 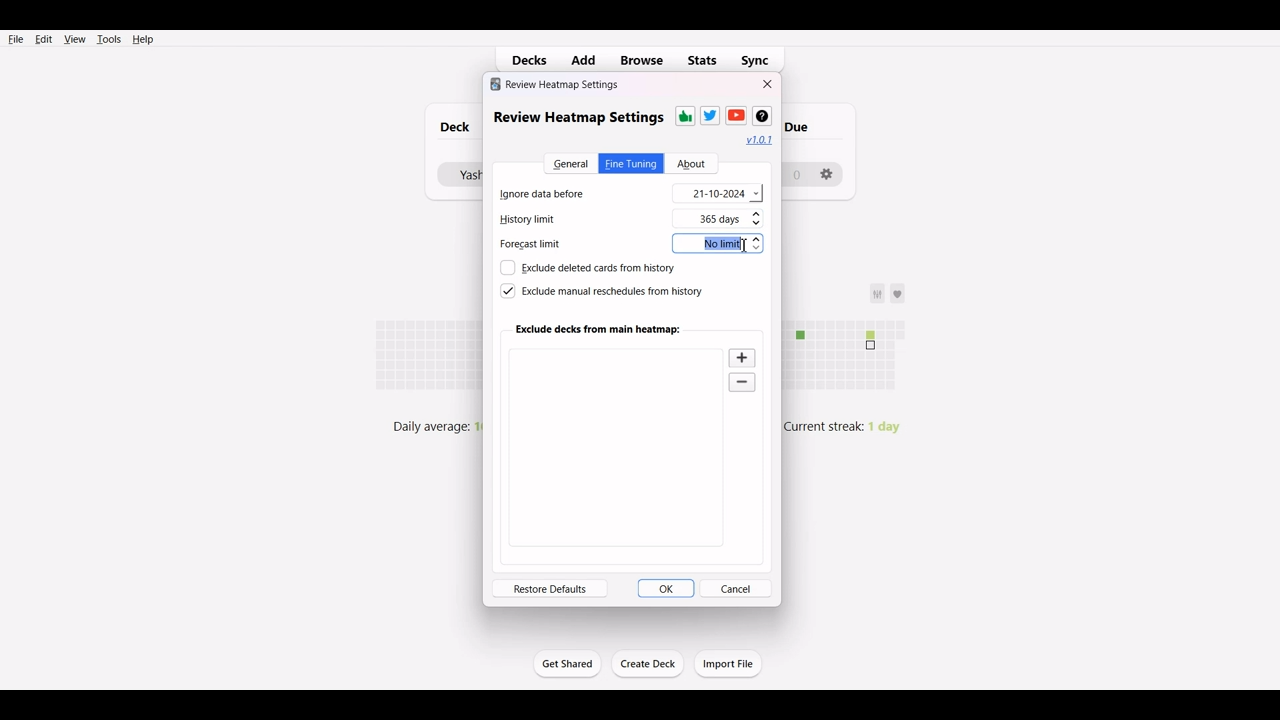 I want to click on Get Started, so click(x=566, y=663).